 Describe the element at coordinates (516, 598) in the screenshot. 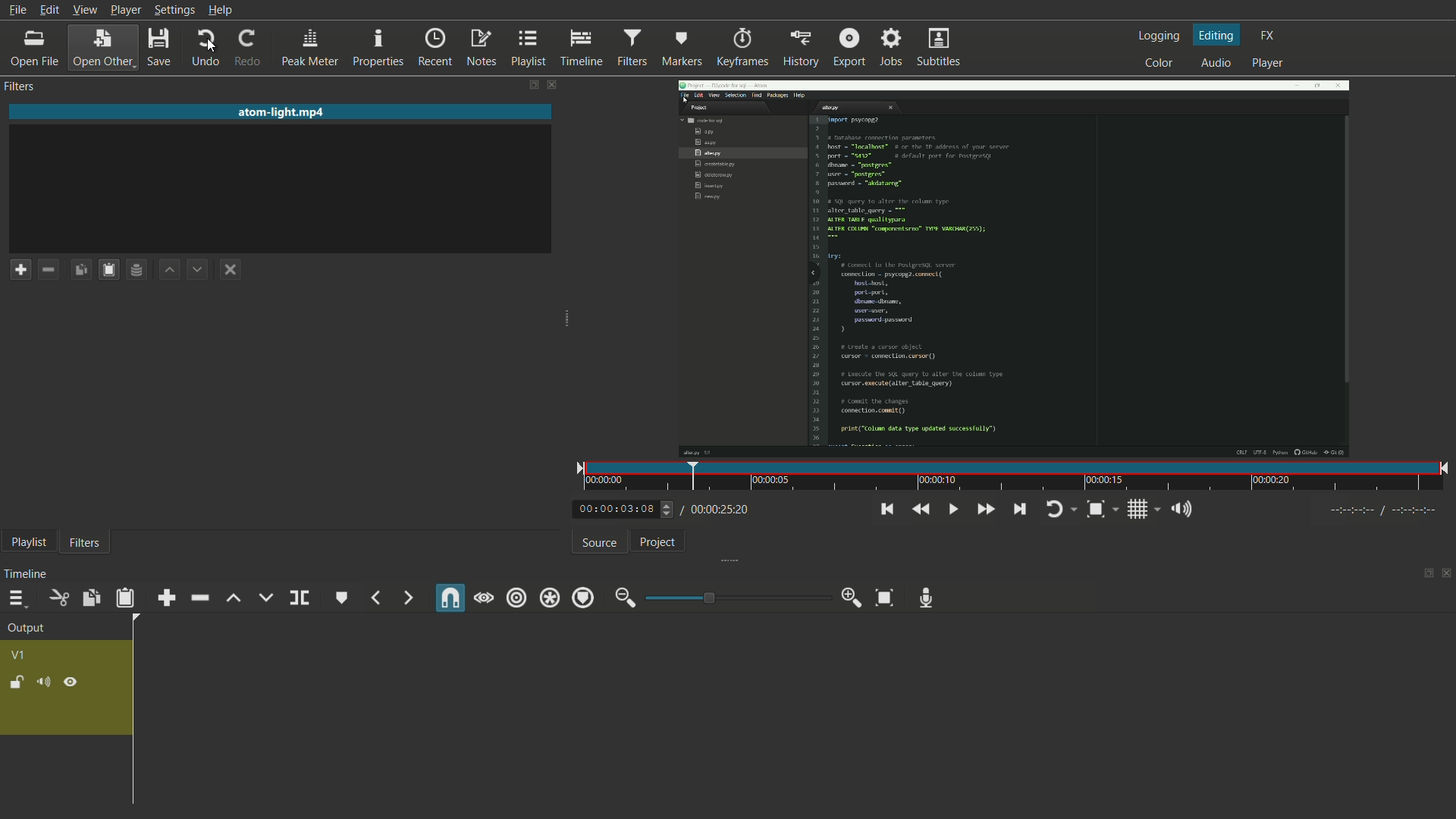

I see `ripple` at that location.